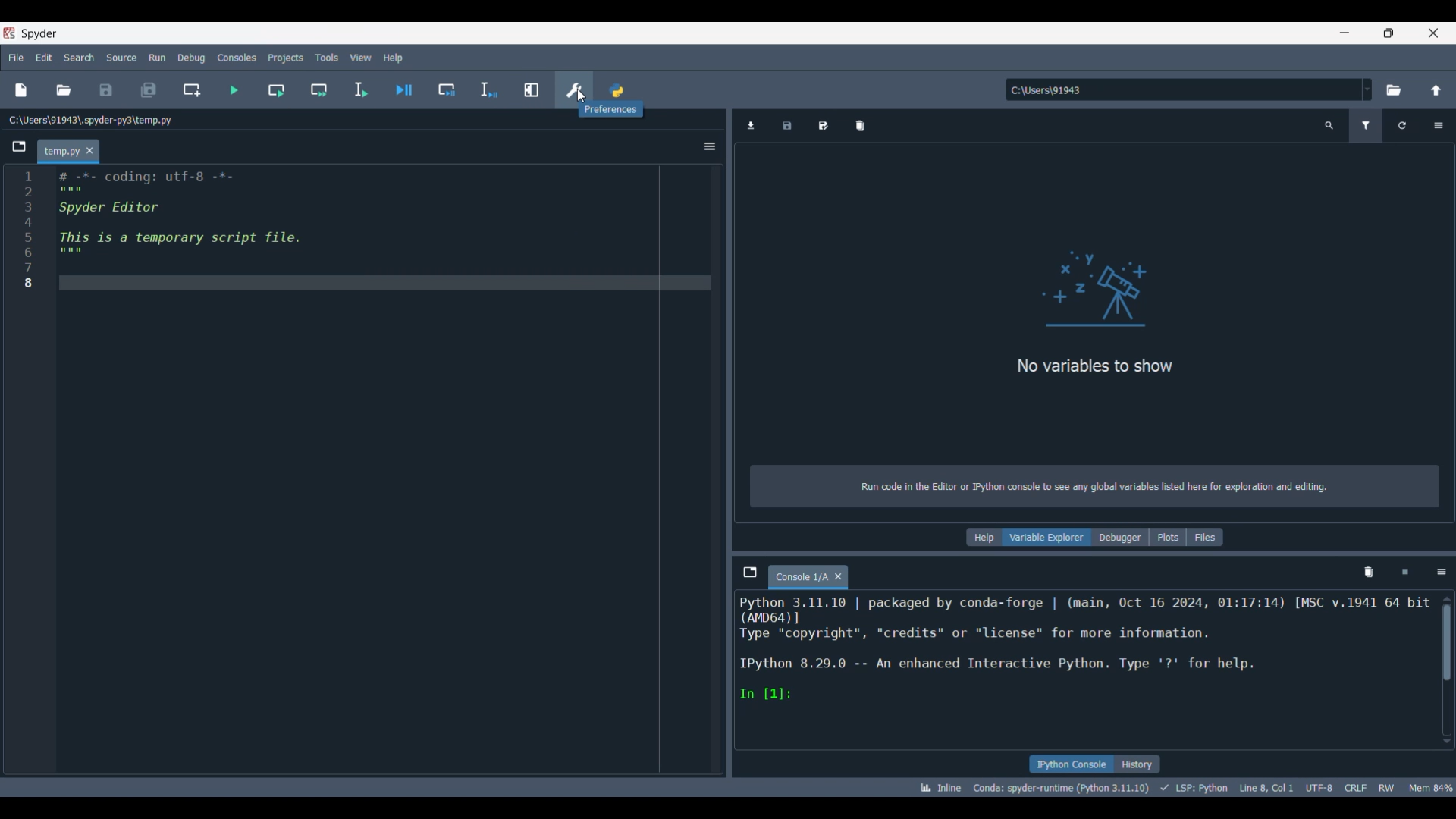  Describe the element at coordinates (532, 90) in the screenshot. I see `Maximize current line` at that location.